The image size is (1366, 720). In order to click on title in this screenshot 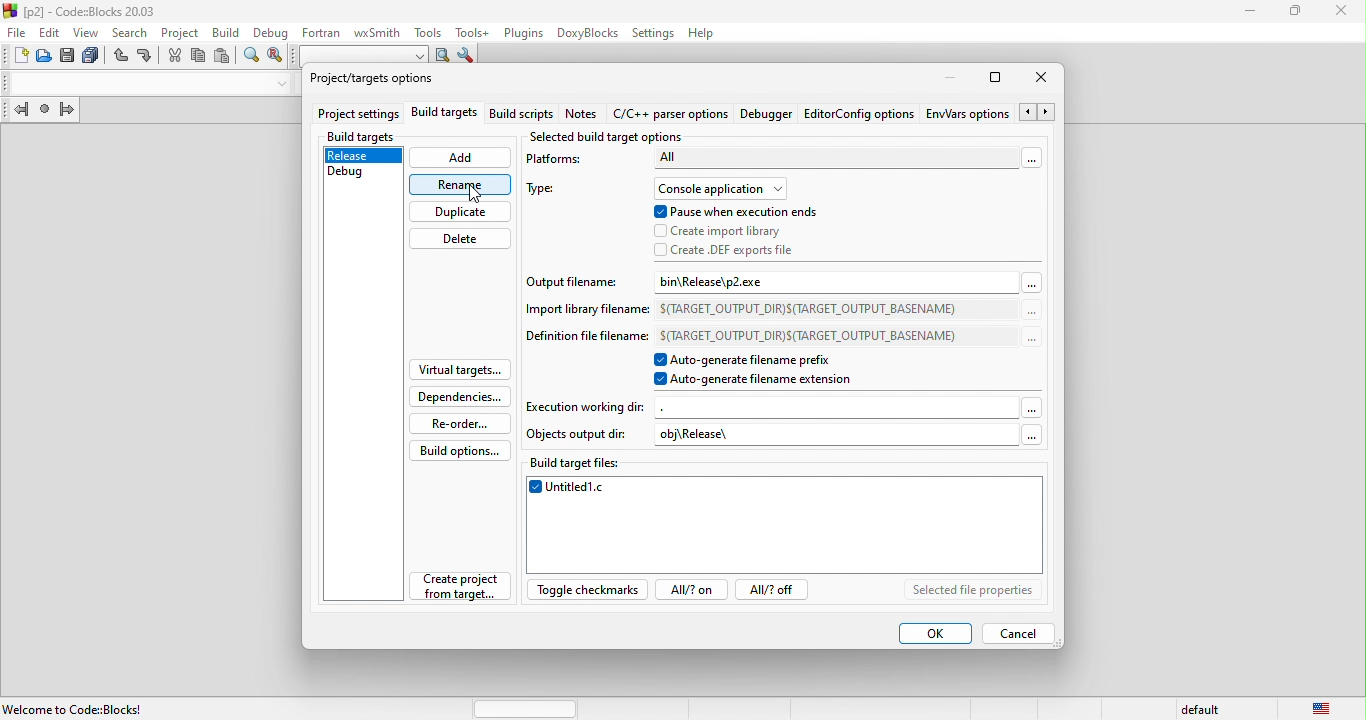, I will do `click(84, 10)`.